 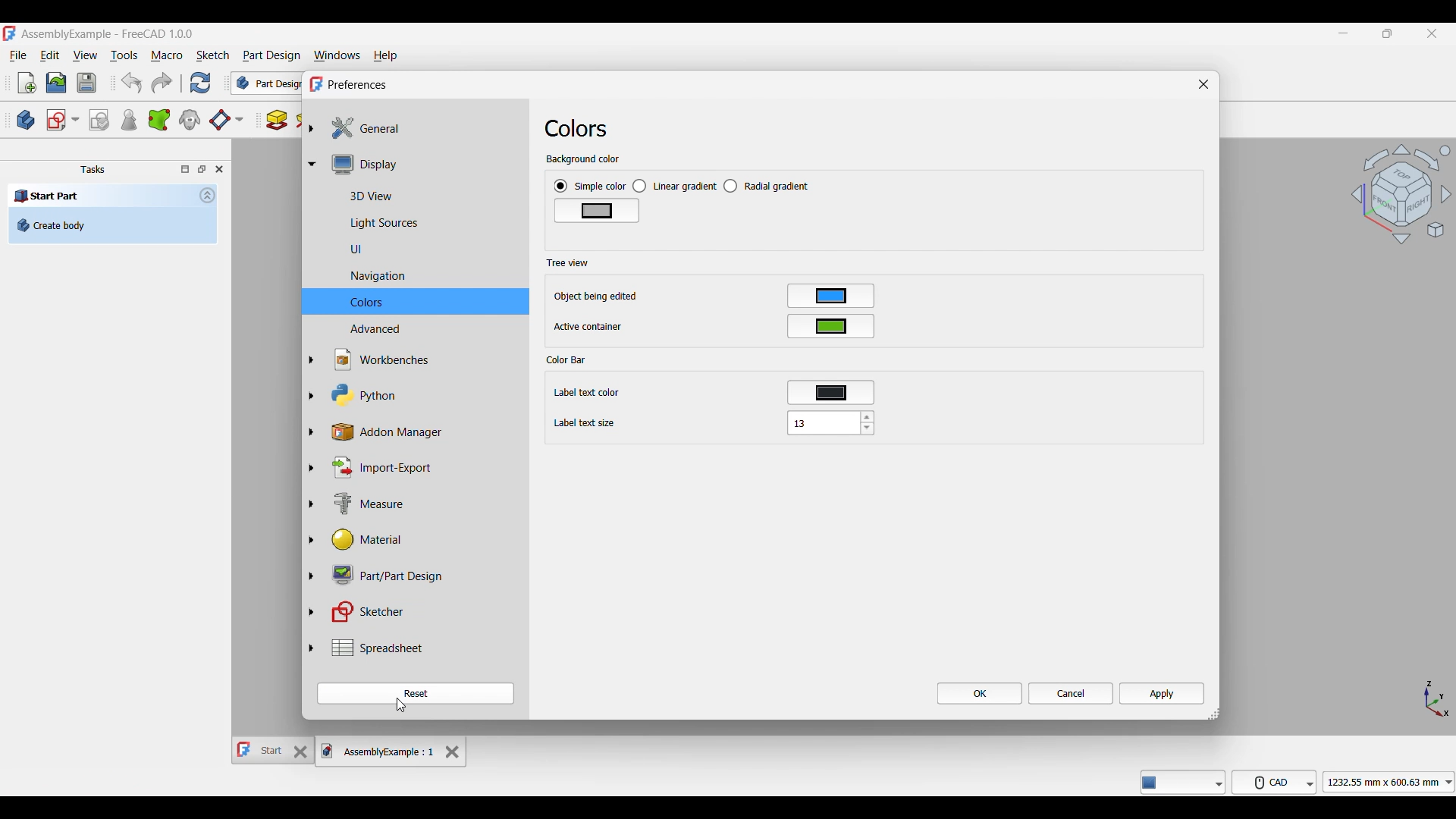 What do you see at coordinates (566, 360) in the screenshot?
I see `Color Bar` at bounding box center [566, 360].